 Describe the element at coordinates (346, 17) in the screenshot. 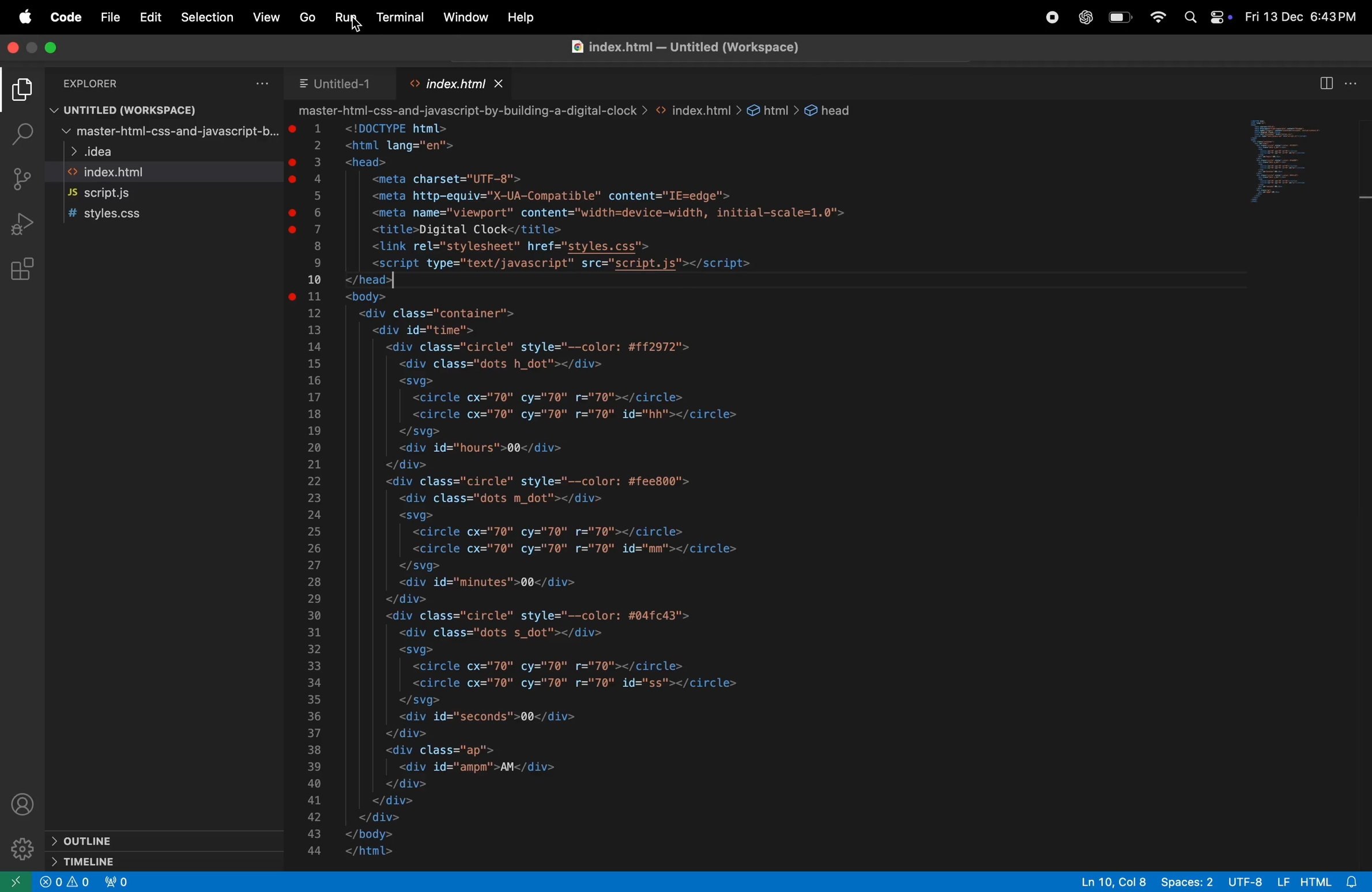

I see `run` at that location.